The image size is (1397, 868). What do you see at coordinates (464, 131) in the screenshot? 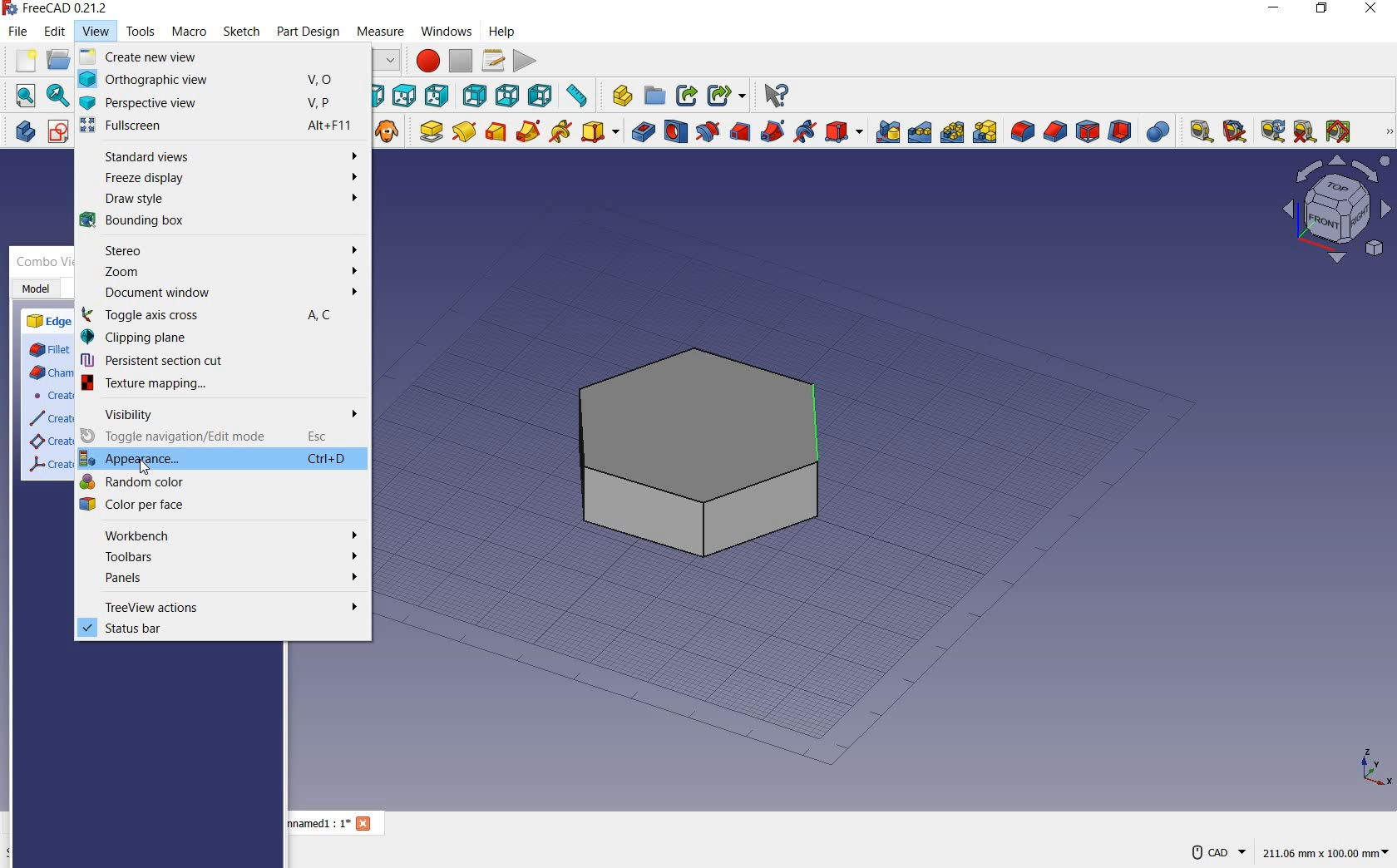
I see `revolution` at bounding box center [464, 131].